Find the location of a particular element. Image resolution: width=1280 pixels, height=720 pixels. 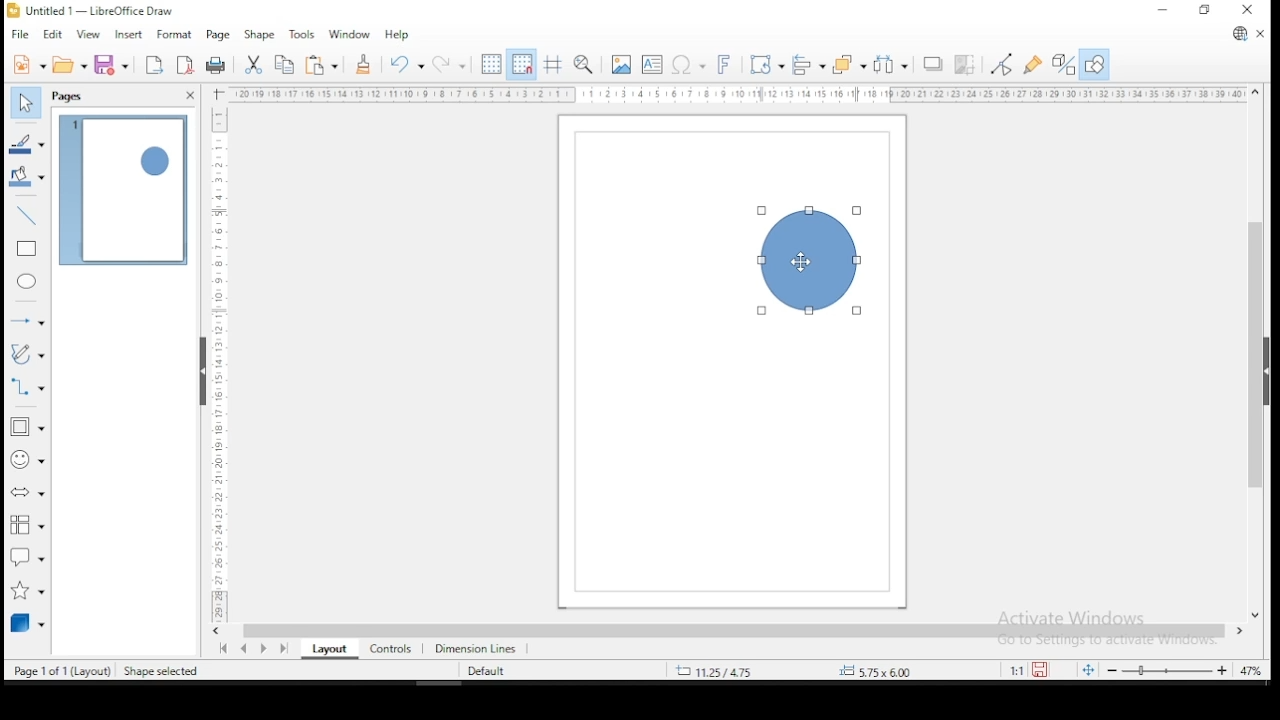

zoom and pan is located at coordinates (584, 64).